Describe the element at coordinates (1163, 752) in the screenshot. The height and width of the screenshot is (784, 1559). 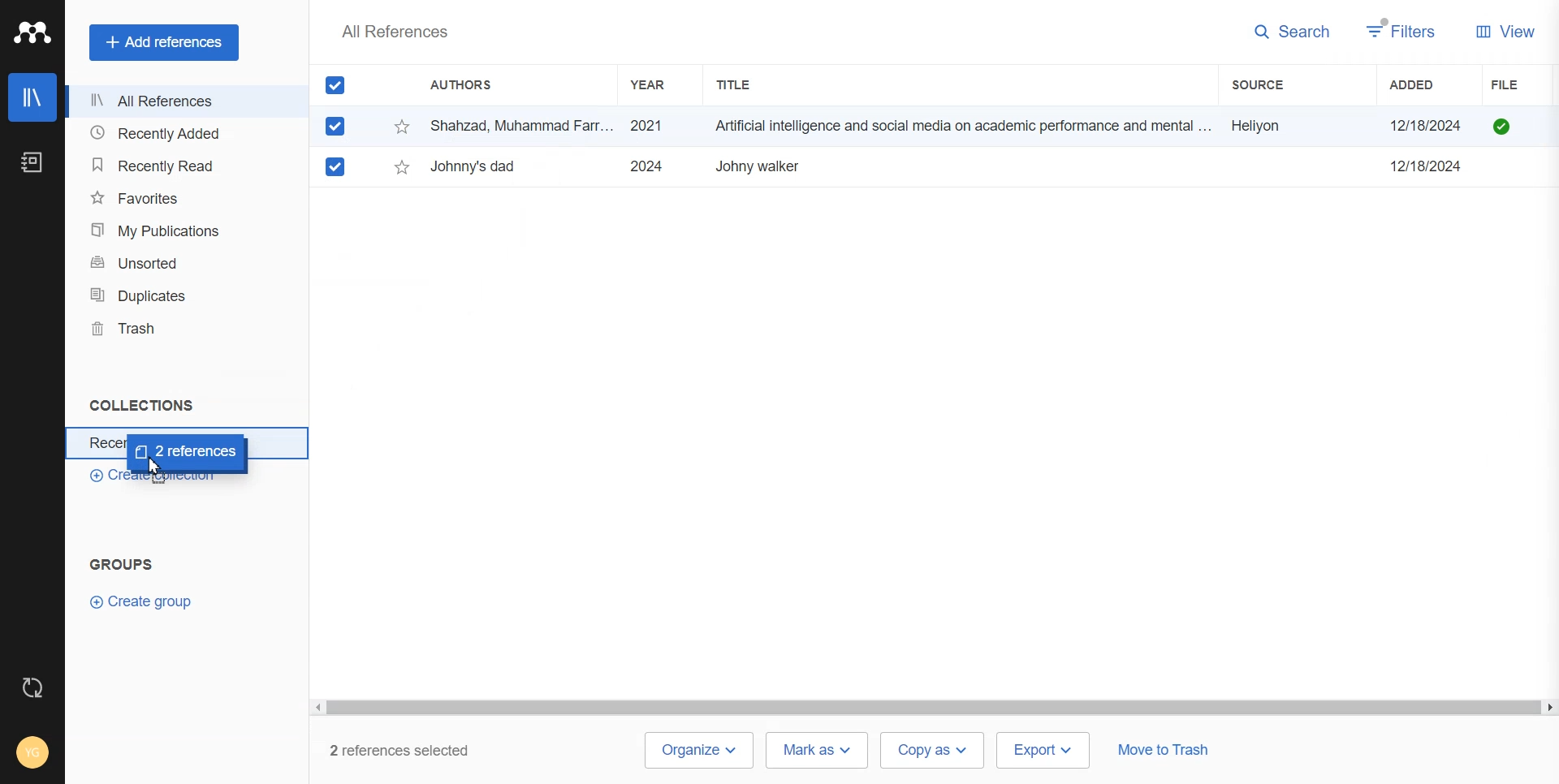
I see `Move to trash` at that location.